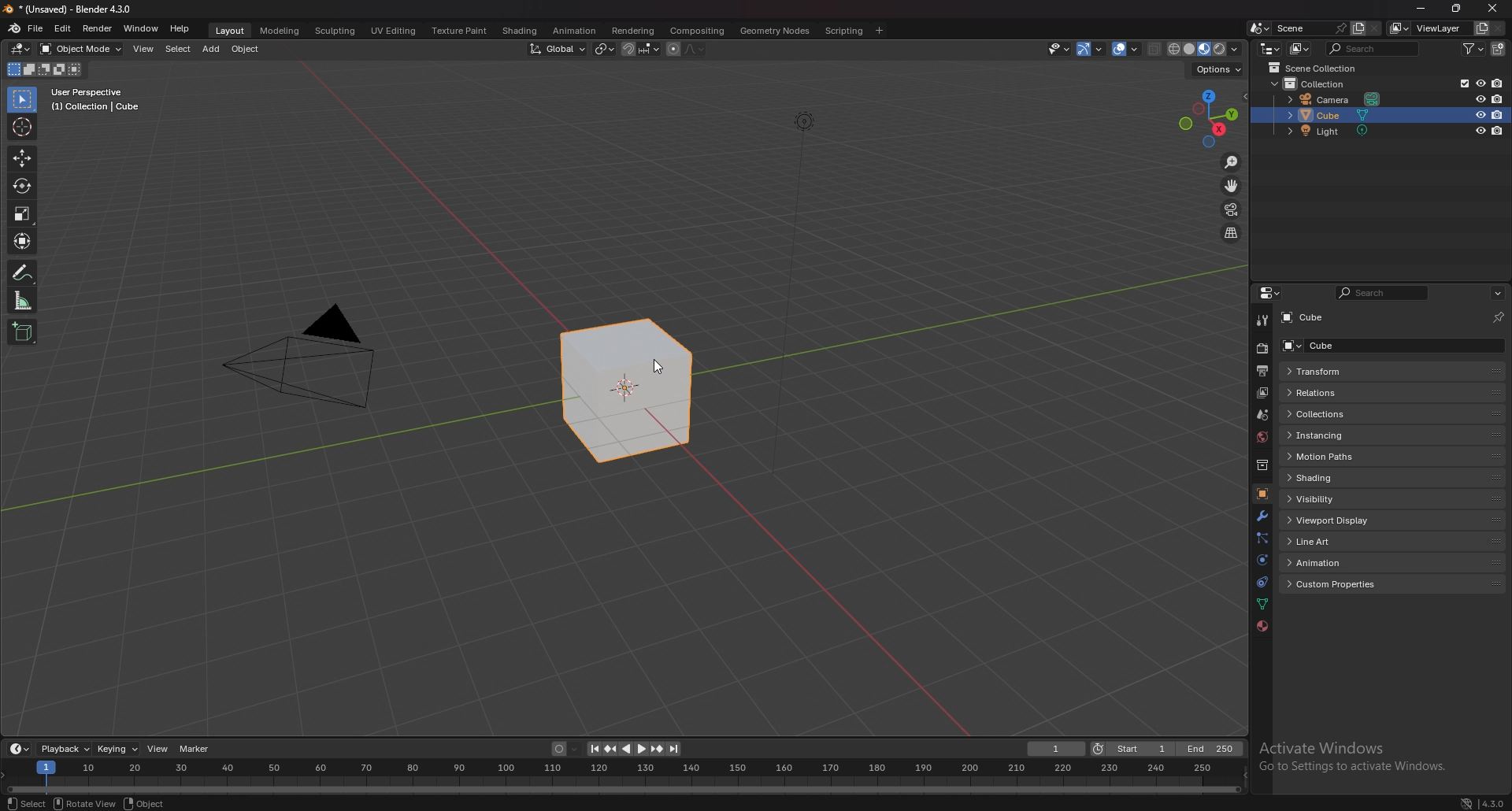 This screenshot has width=1512, height=811. What do you see at coordinates (178, 49) in the screenshot?
I see `select` at bounding box center [178, 49].